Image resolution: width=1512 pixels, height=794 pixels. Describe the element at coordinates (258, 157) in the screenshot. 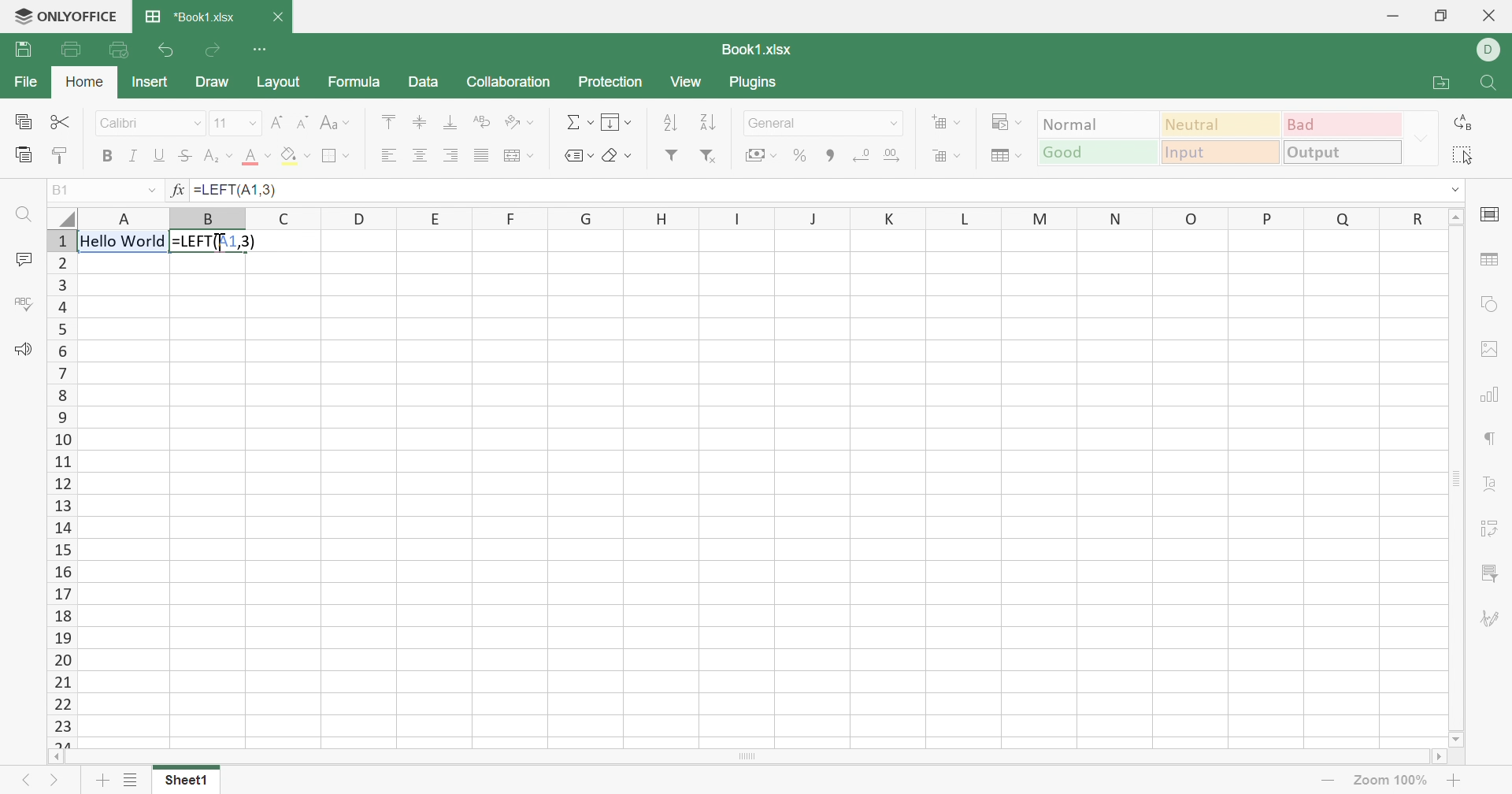

I see `Font color` at that location.